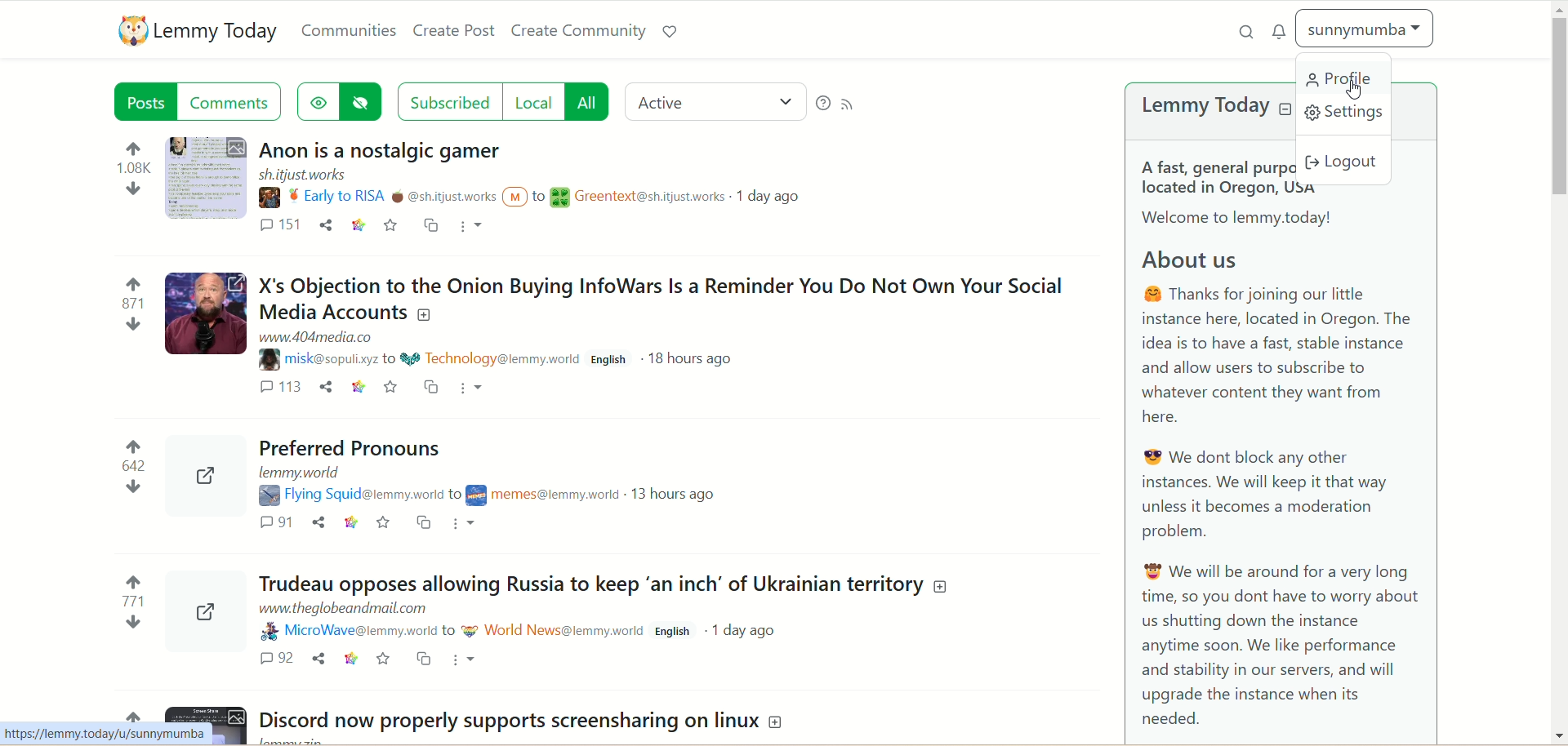  Describe the element at coordinates (768, 196) in the screenshot. I see `1 day ago` at that location.